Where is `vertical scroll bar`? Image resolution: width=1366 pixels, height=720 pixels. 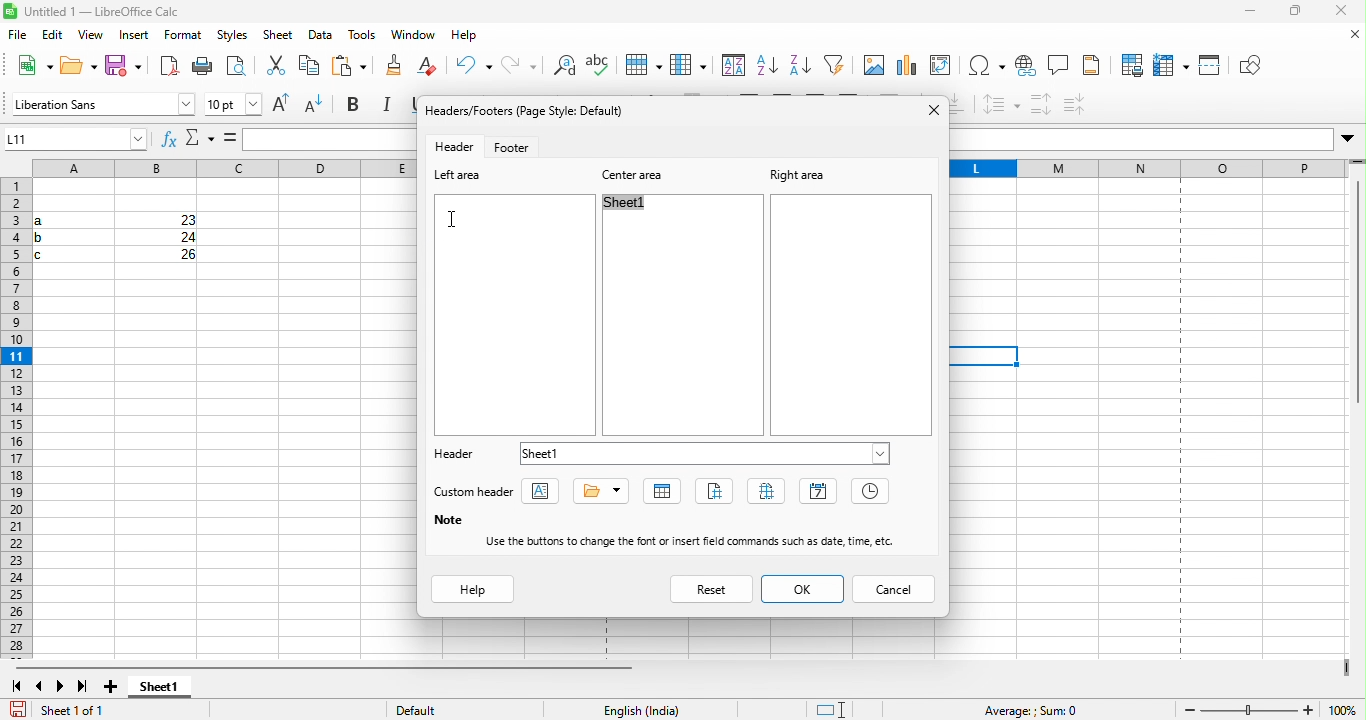 vertical scroll bar is located at coordinates (1355, 293).